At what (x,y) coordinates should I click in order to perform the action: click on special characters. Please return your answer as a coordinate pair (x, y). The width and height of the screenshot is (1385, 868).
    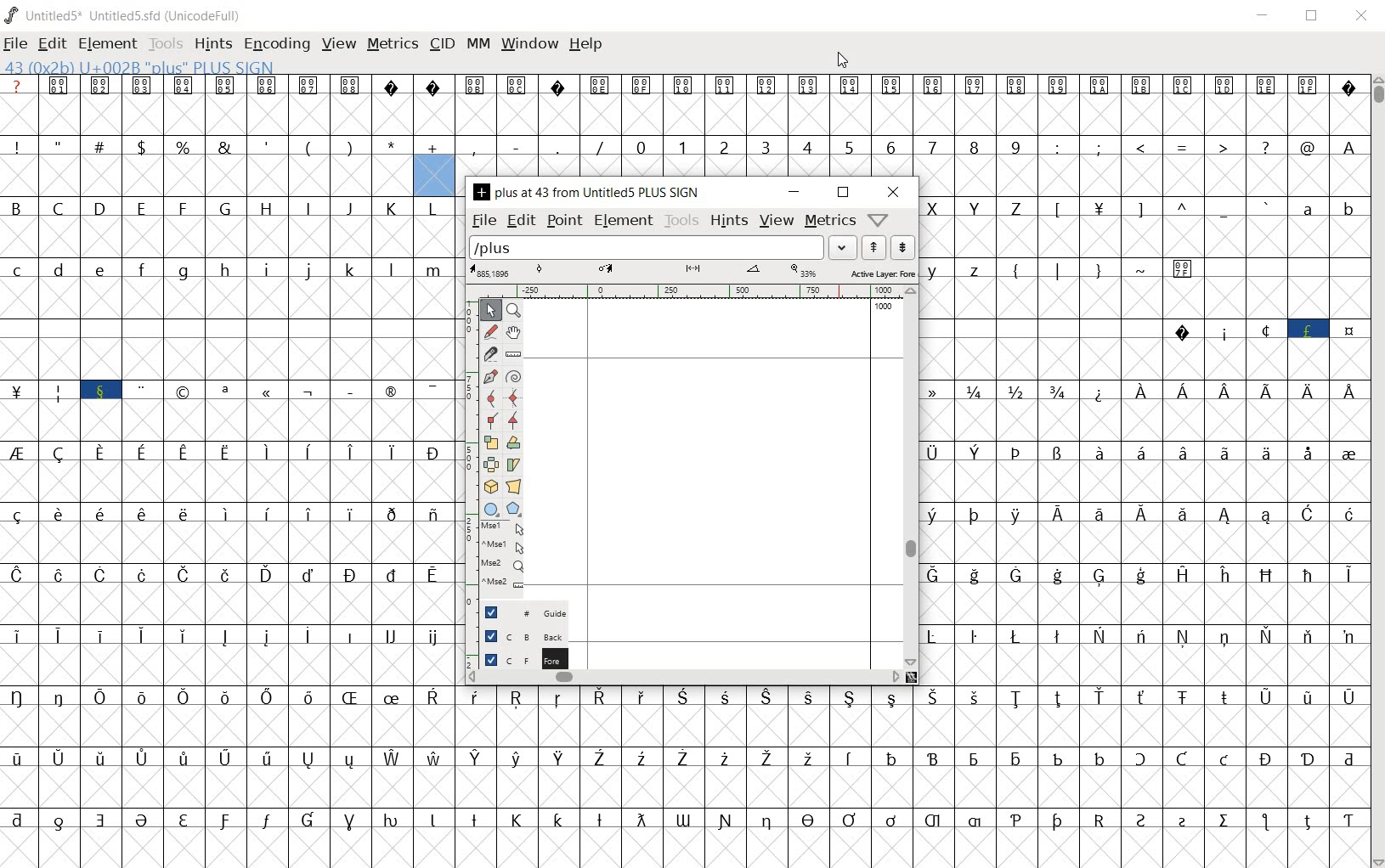
    Looking at the image, I should click on (1100, 288).